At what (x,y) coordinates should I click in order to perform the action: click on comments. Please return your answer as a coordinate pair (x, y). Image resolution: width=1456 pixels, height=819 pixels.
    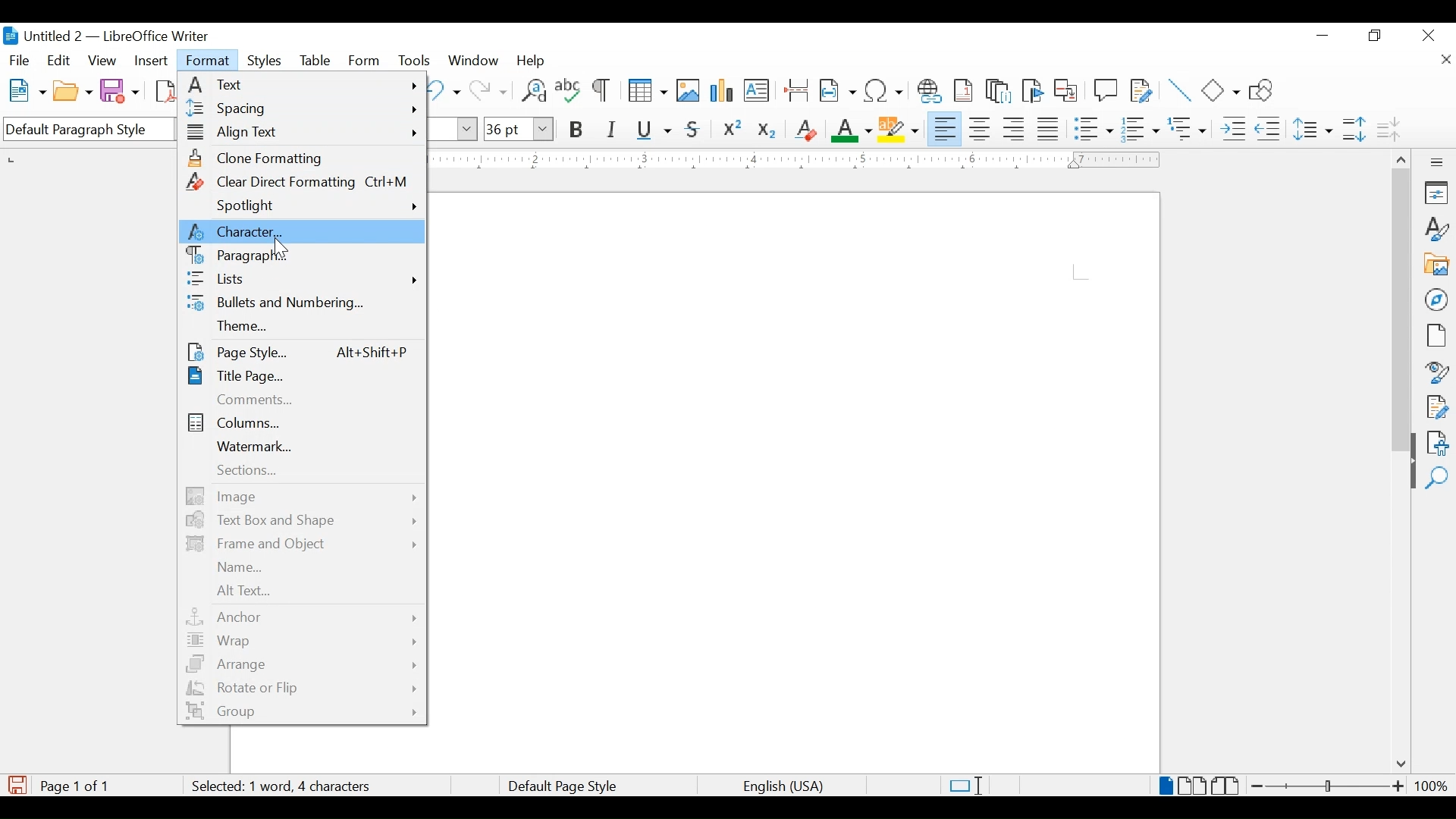
    Looking at the image, I should click on (256, 399).